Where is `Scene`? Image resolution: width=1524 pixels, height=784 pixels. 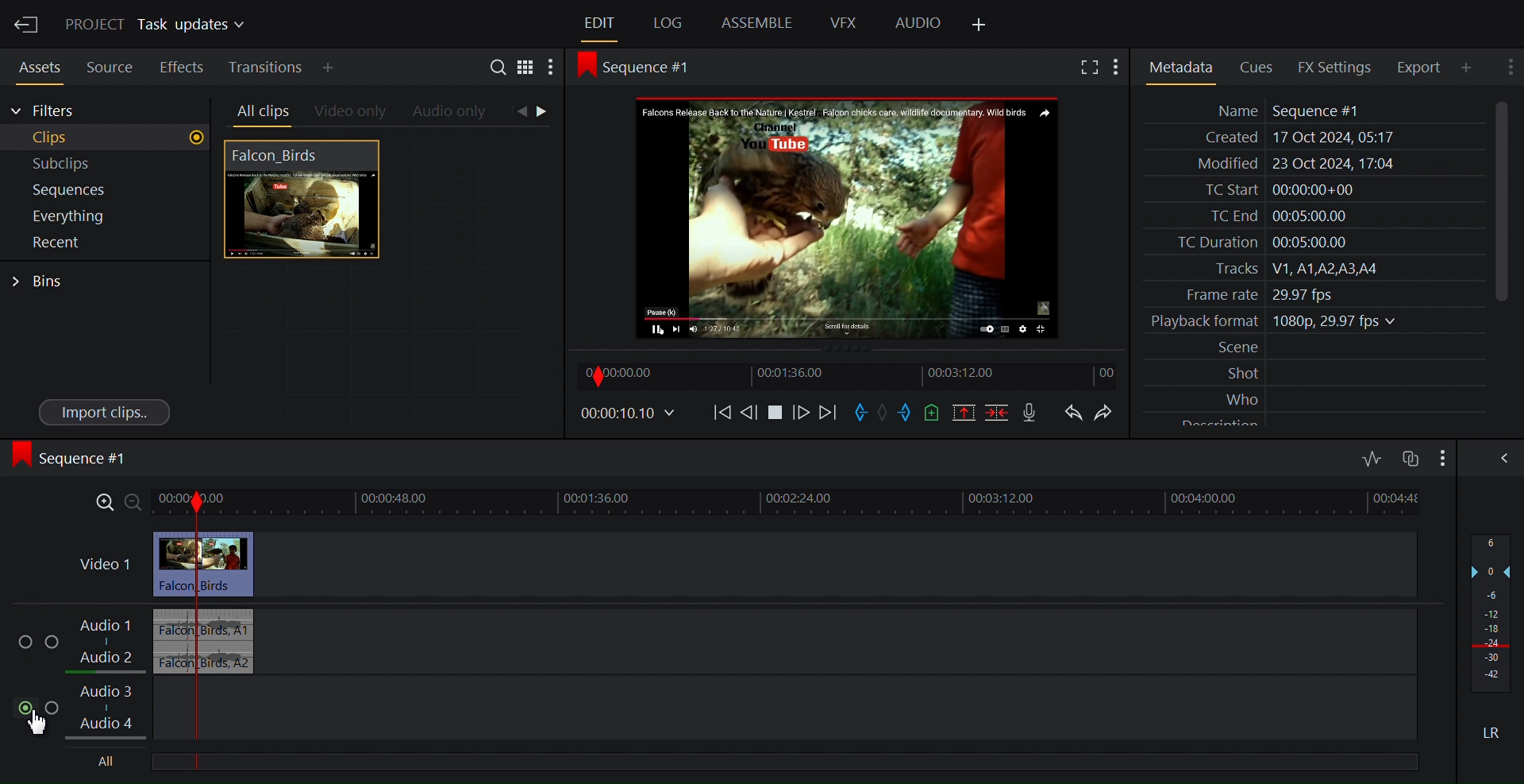 Scene is located at coordinates (1316, 348).